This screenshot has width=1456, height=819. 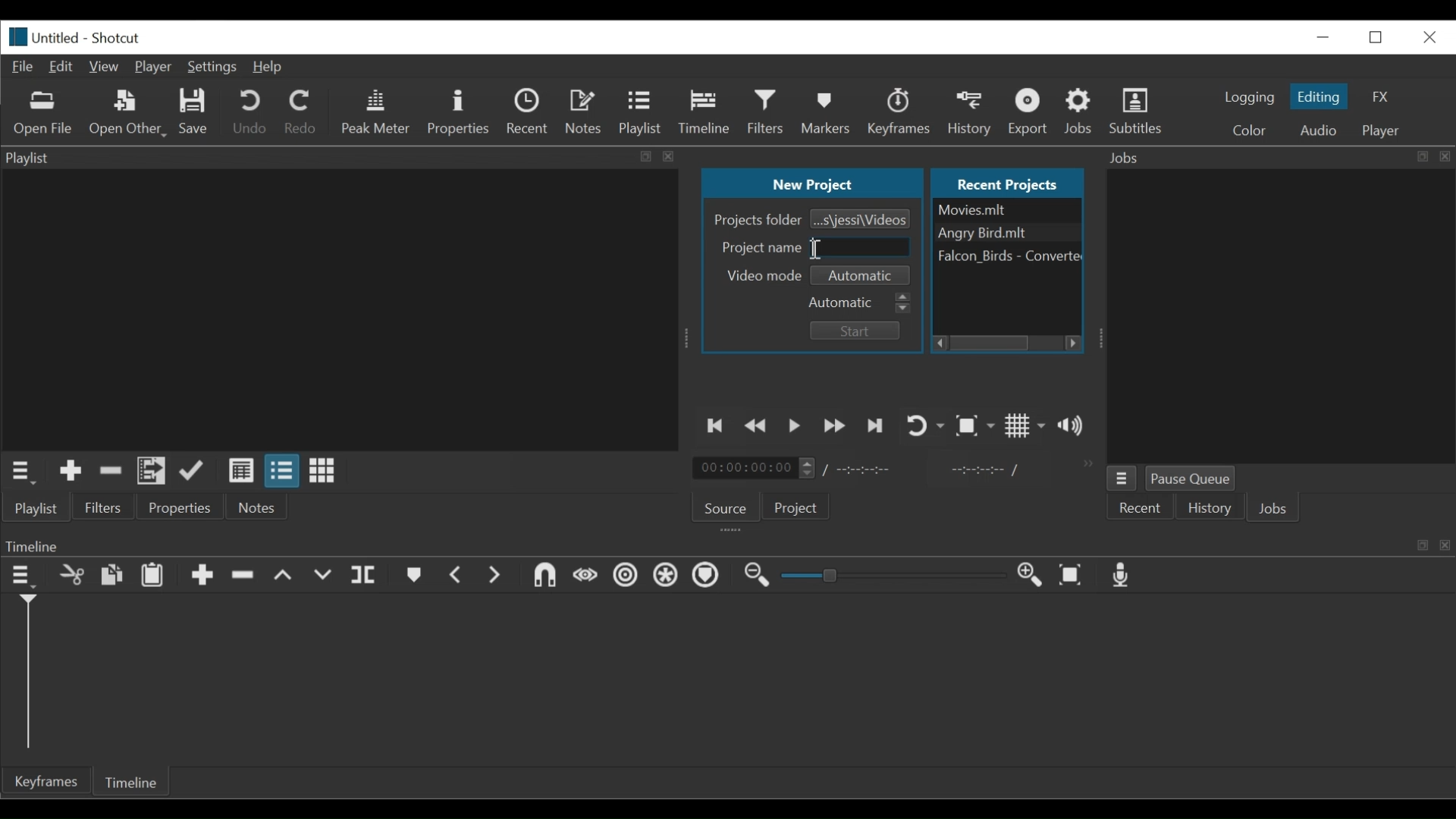 I want to click on Scroll right, so click(x=1075, y=343).